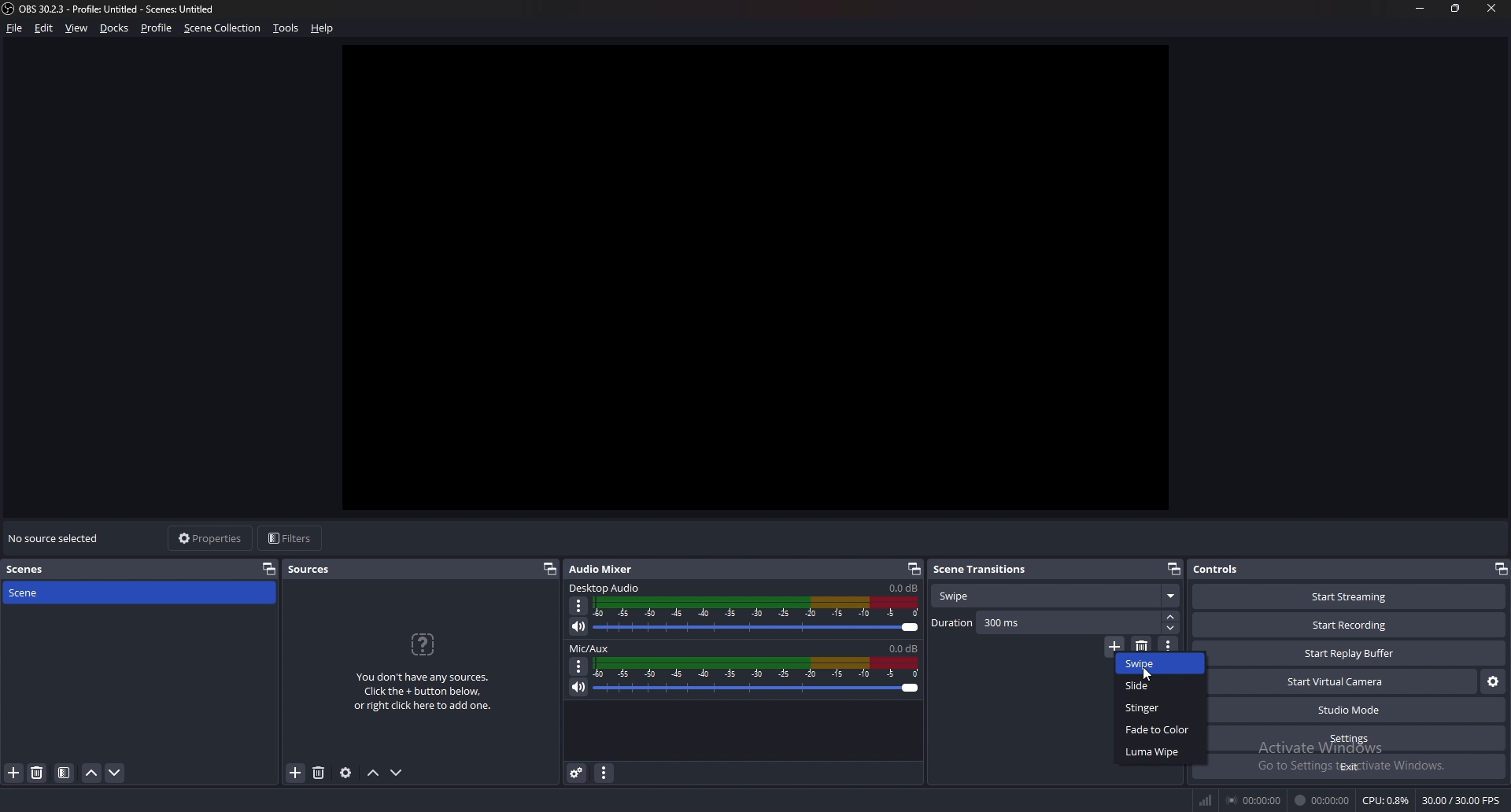  What do you see at coordinates (295, 775) in the screenshot?
I see `add source` at bounding box center [295, 775].